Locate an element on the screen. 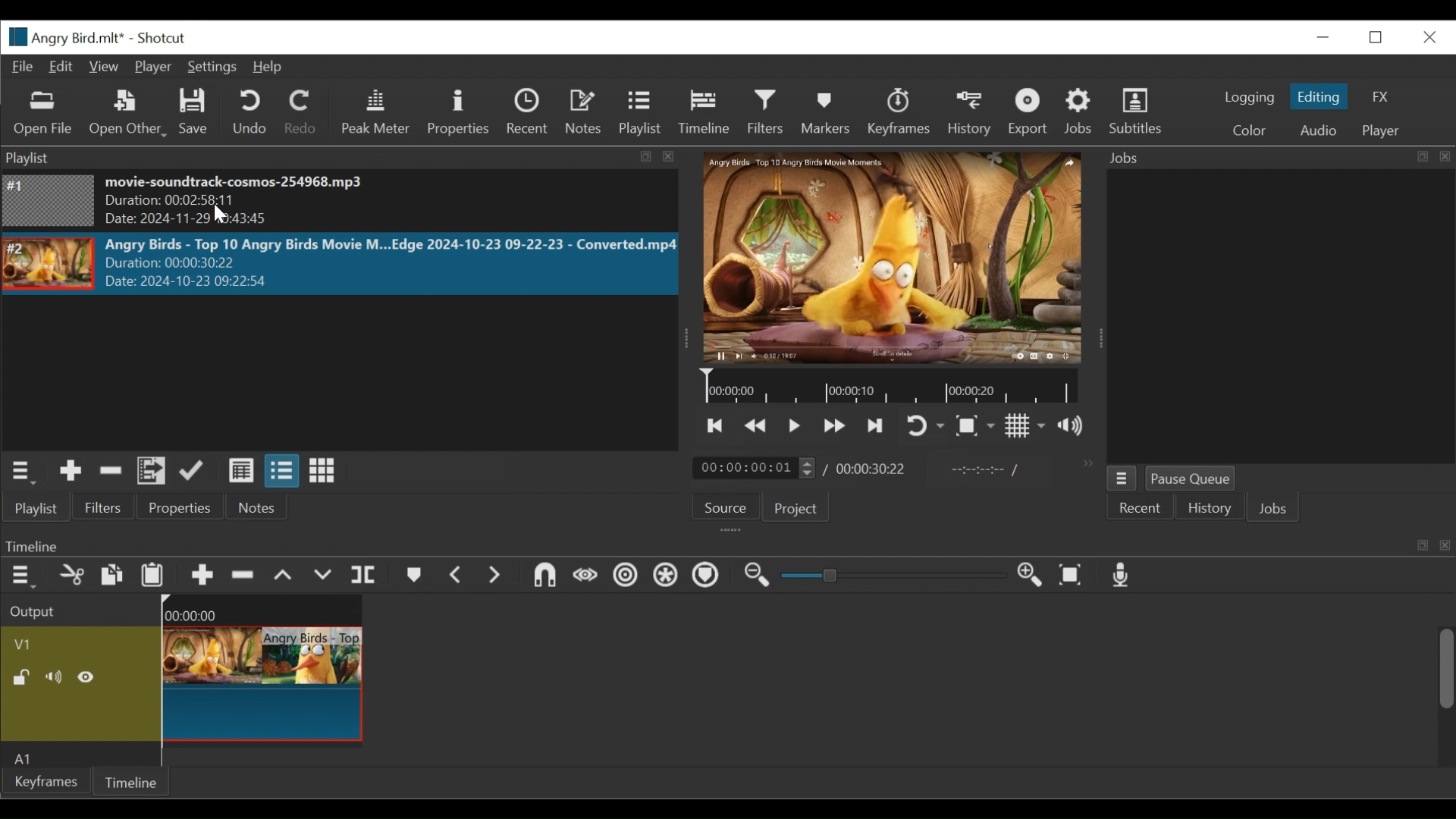 This screenshot has width=1456, height=819. Help is located at coordinates (266, 67).